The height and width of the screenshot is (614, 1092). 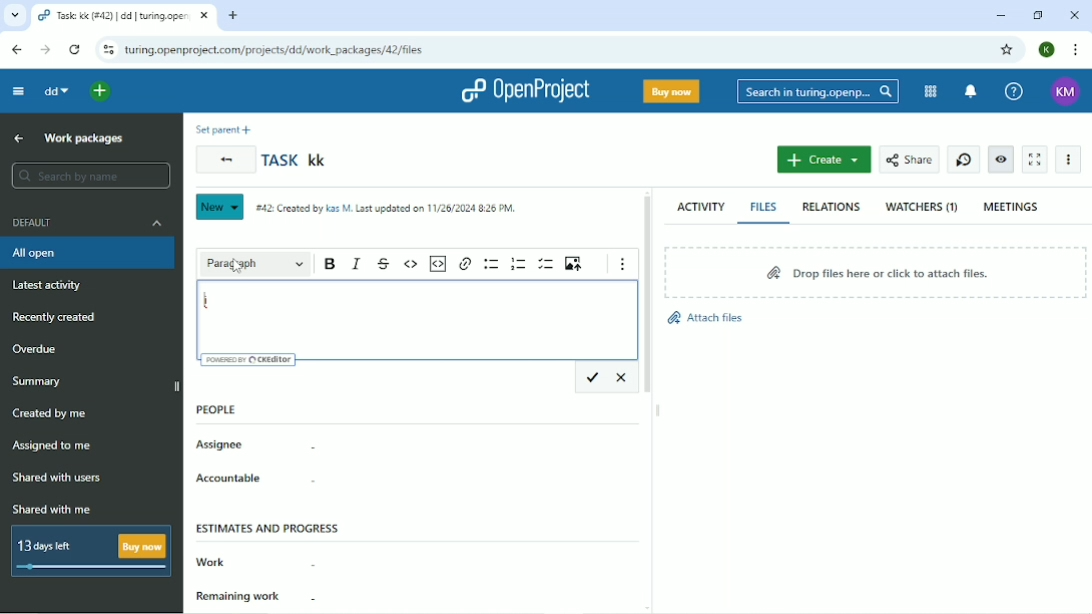 I want to click on Back, so click(x=17, y=49).